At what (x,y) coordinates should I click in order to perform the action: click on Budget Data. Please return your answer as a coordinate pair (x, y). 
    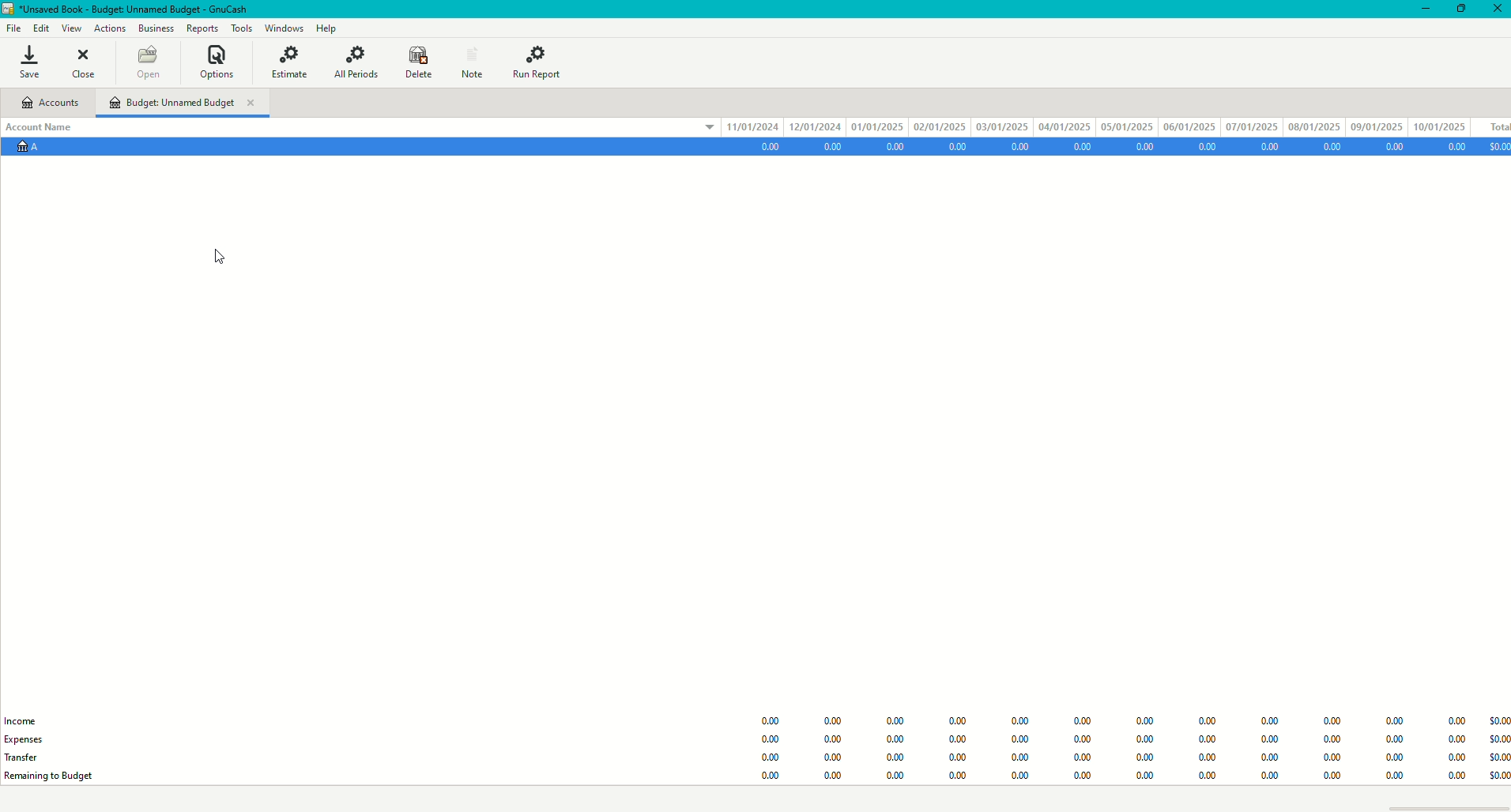
    Looking at the image, I should click on (1123, 741).